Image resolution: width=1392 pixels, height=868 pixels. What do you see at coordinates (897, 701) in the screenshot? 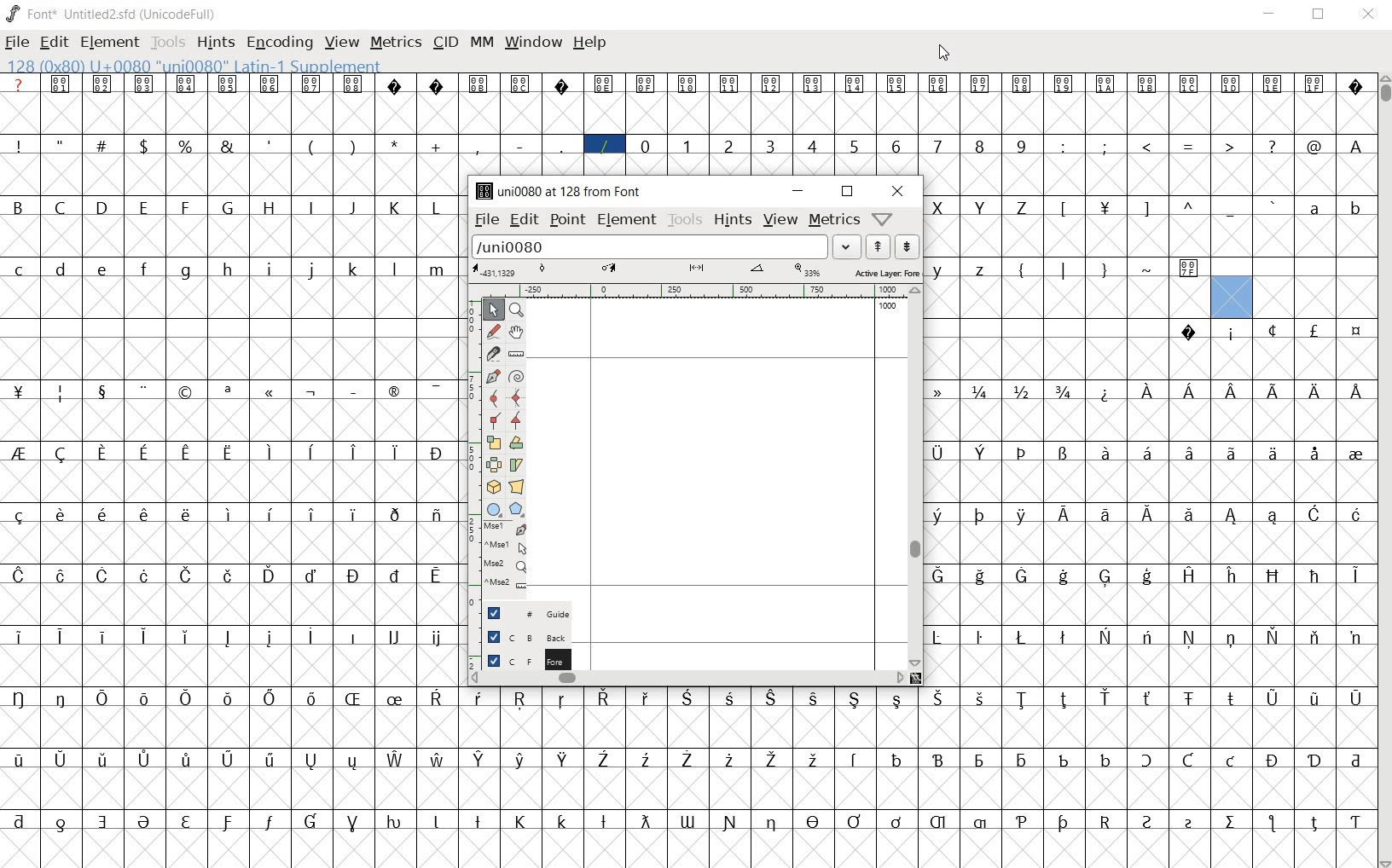
I see `glyph` at bounding box center [897, 701].